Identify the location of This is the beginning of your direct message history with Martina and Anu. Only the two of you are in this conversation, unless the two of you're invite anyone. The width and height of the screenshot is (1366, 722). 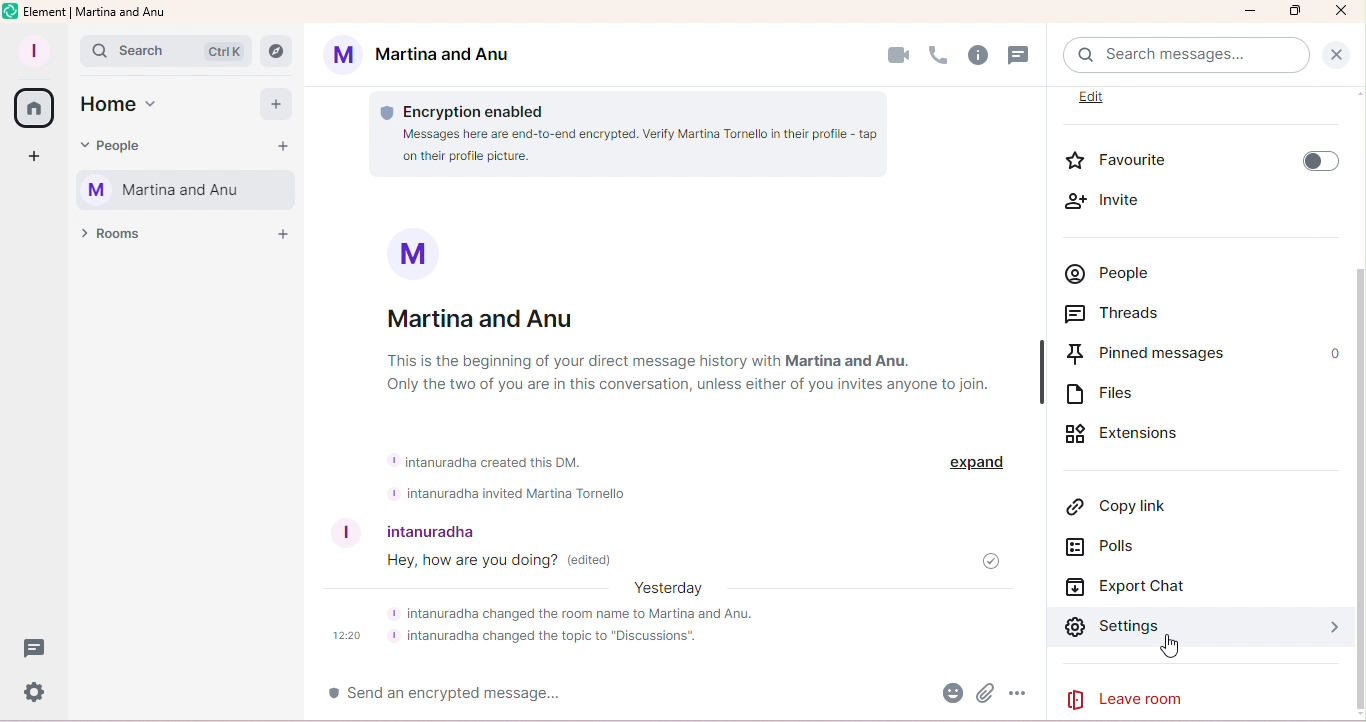
(714, 372).